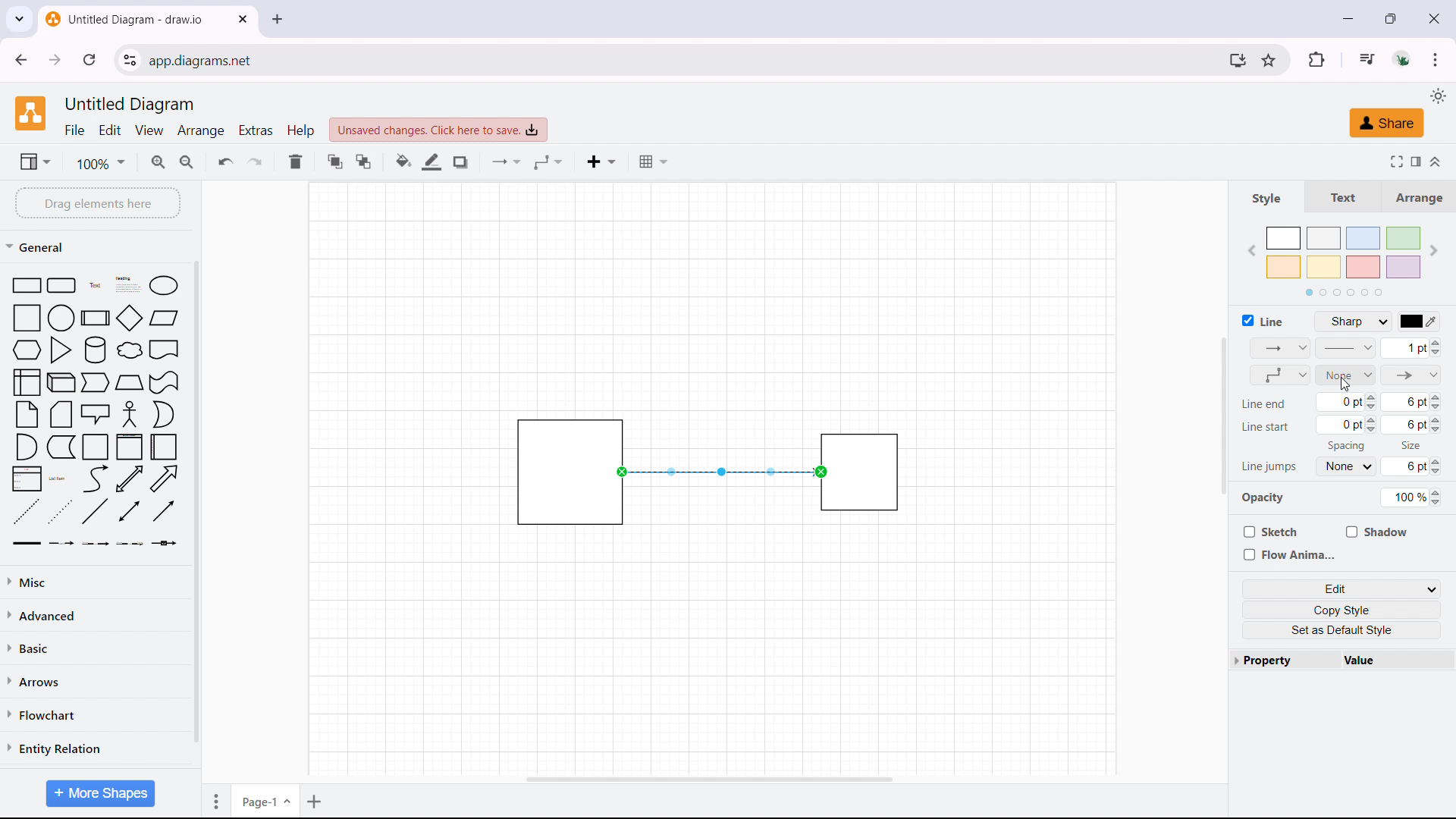 This screenshot has width=1456, height=819. What do you see at coordinates (256, 130) in the screenshot?
I see `extras` at bounding box center [256, 130].